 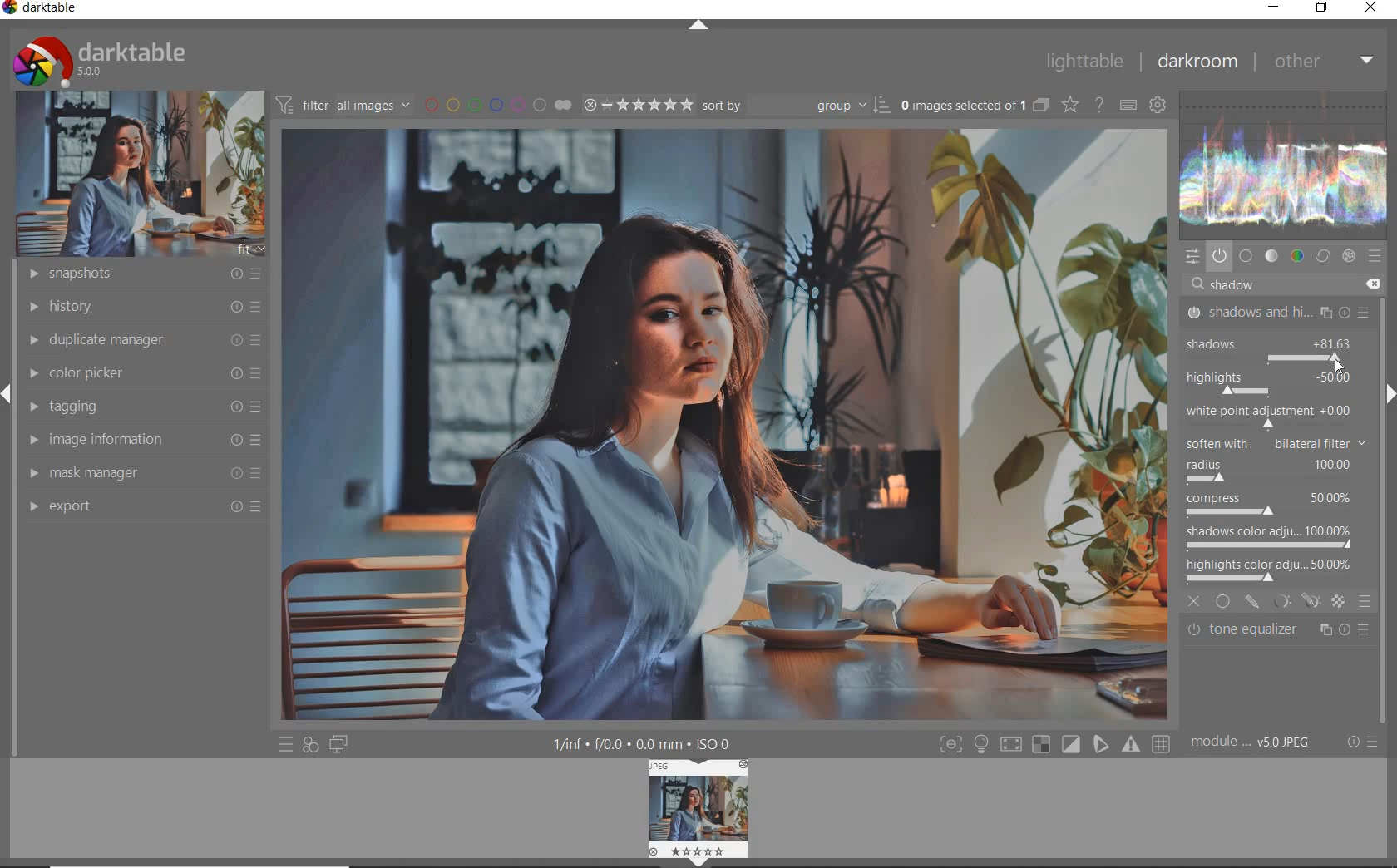 What do you see at coordinates (47, 9) in the screenshot?
I see `darktable` at bounding box center [47, 9].